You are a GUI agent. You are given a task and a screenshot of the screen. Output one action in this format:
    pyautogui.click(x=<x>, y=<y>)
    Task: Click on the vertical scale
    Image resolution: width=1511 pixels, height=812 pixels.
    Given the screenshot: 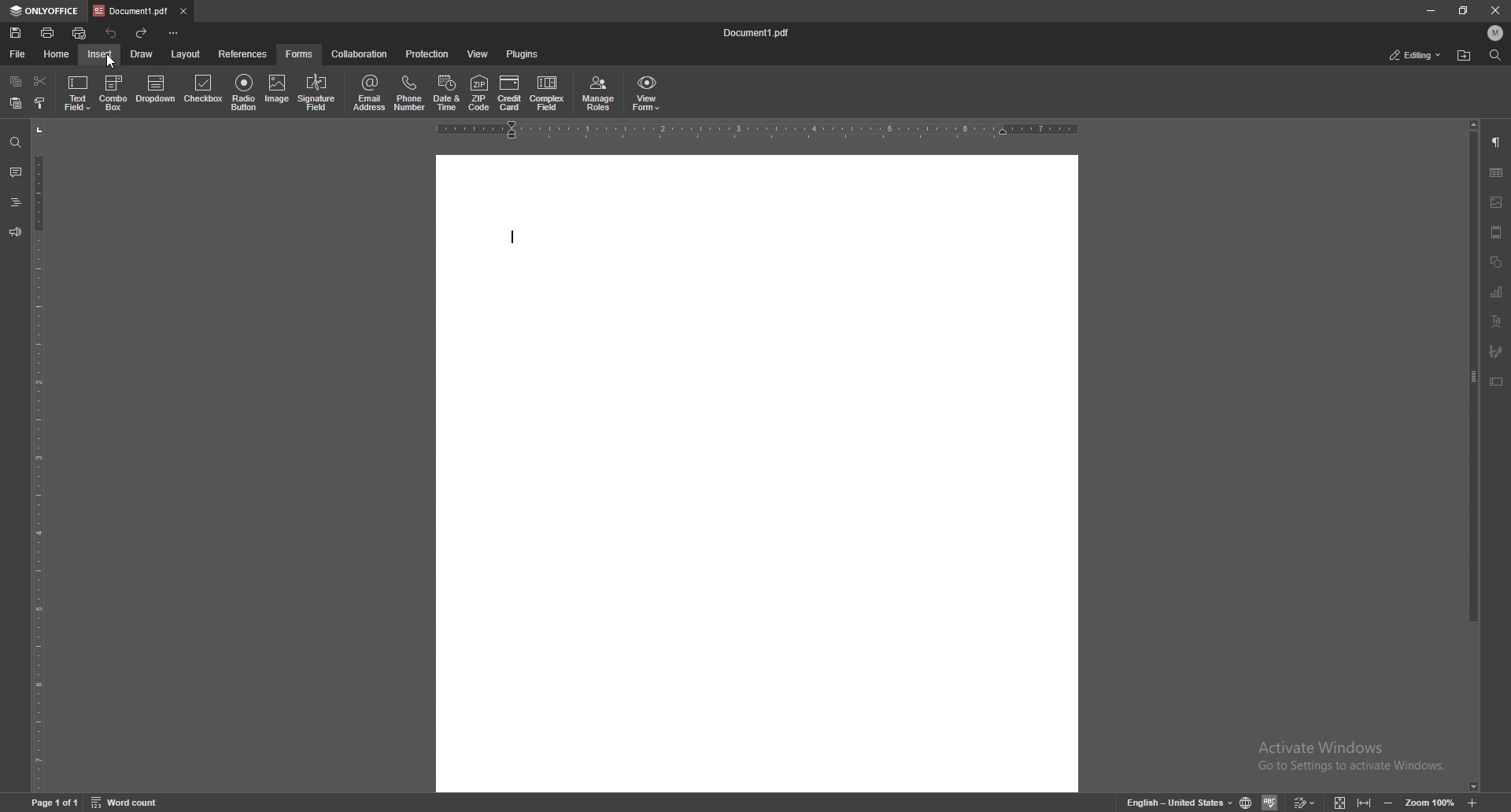 What is the action you would take?
    pyautogui.click(x=36, y=458)
    